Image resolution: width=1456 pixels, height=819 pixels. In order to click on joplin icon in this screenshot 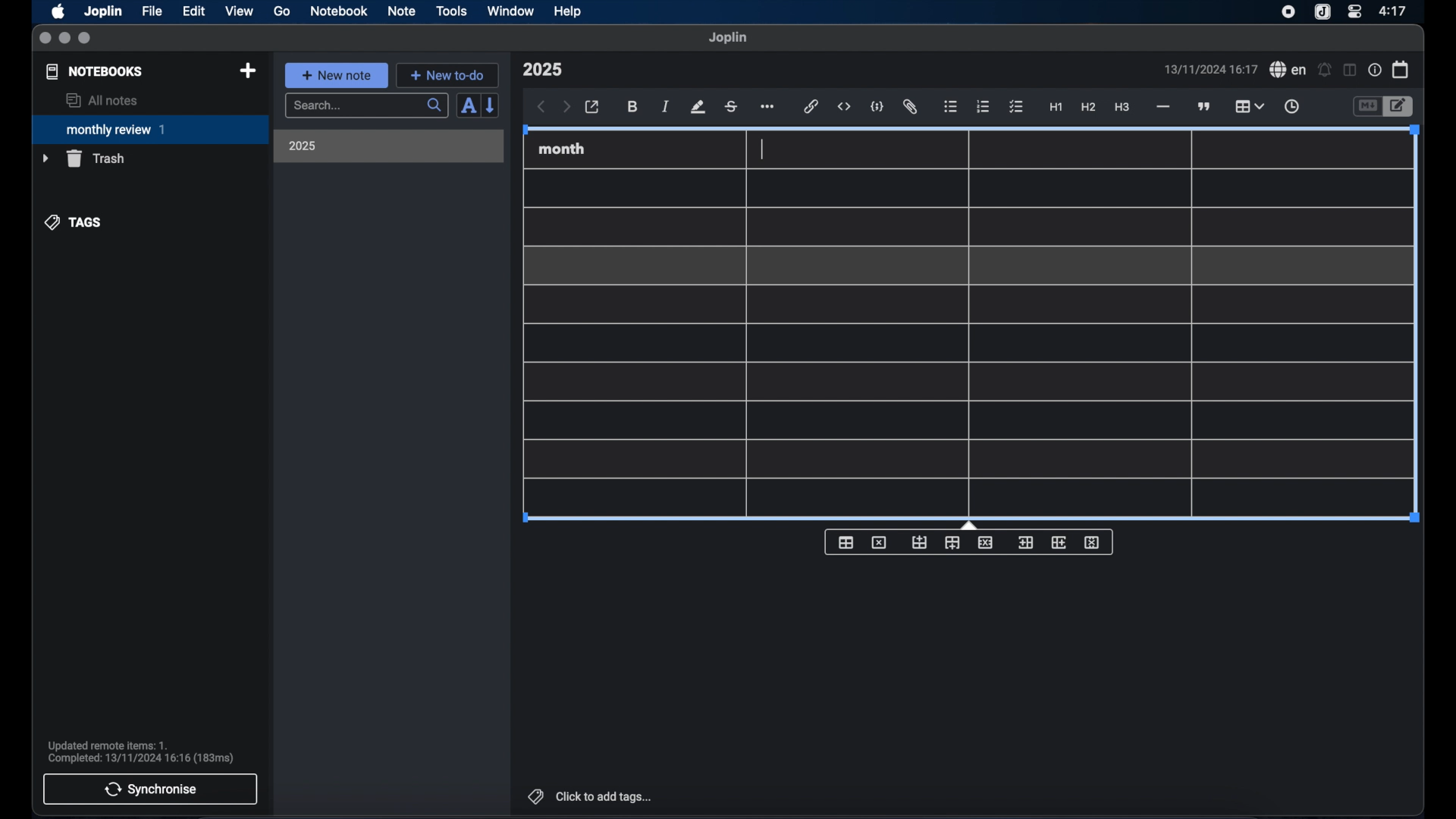, I will do `click(1321, 13)`.